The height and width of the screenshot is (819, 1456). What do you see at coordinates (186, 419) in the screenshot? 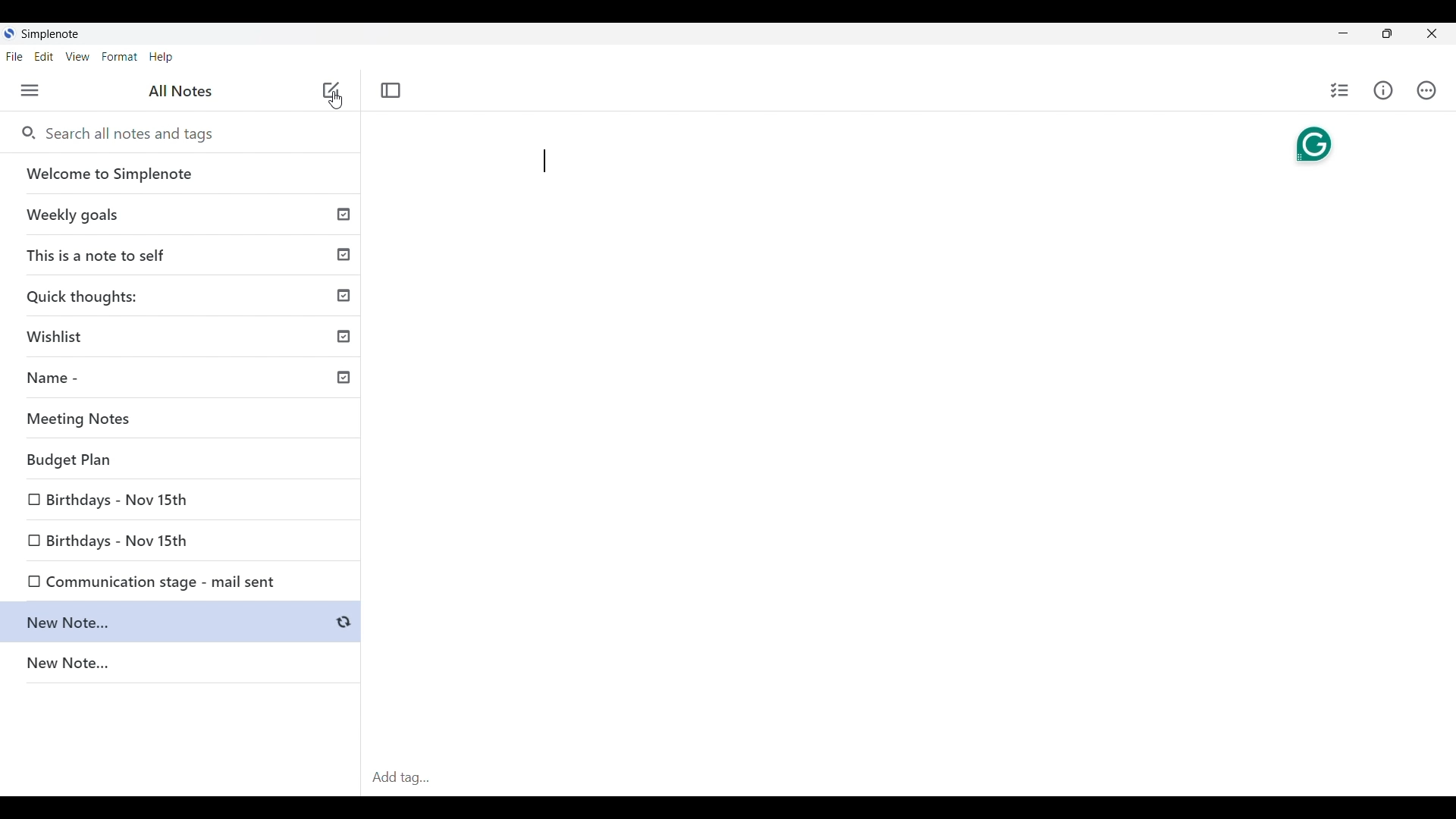
I see `Meeting Notes` at bounding box center [186, 419].